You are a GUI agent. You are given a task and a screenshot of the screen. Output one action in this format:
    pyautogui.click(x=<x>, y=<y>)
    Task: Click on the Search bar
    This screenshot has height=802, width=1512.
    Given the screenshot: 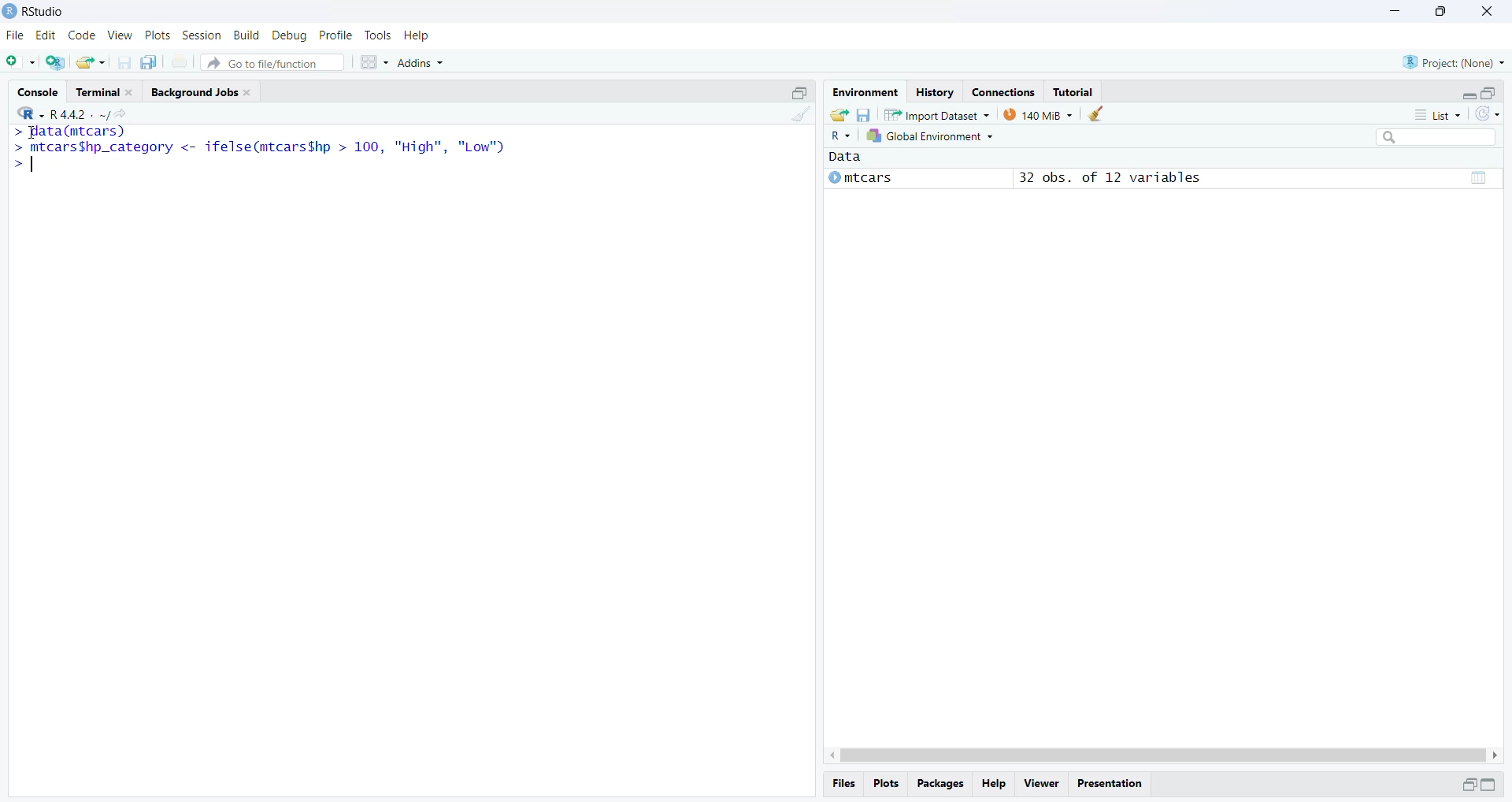 What is the action you would take?
    pyautogui.click(x=1443, y=139)
    